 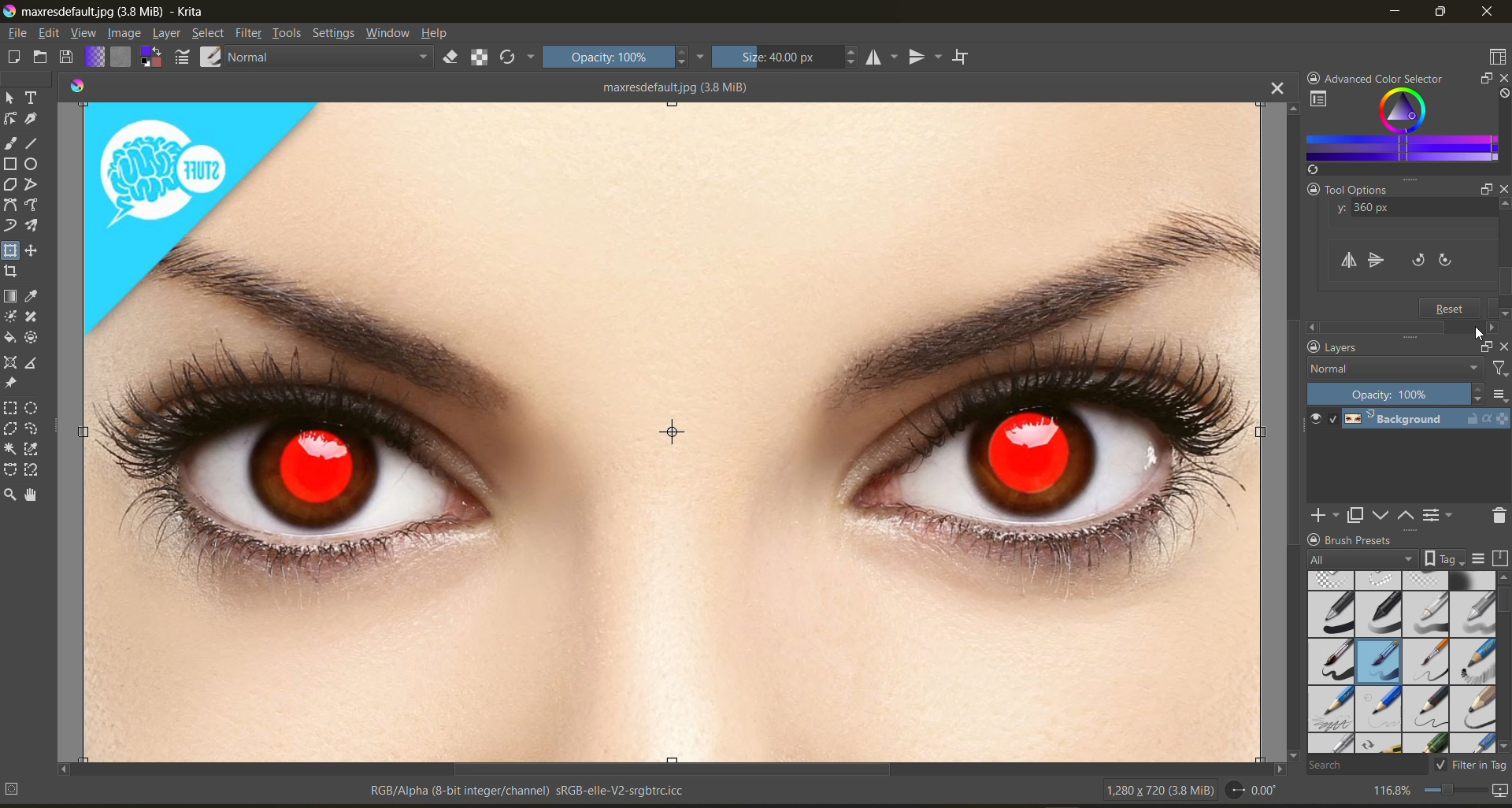 I want to click on tool, so click(x=9, y=384).